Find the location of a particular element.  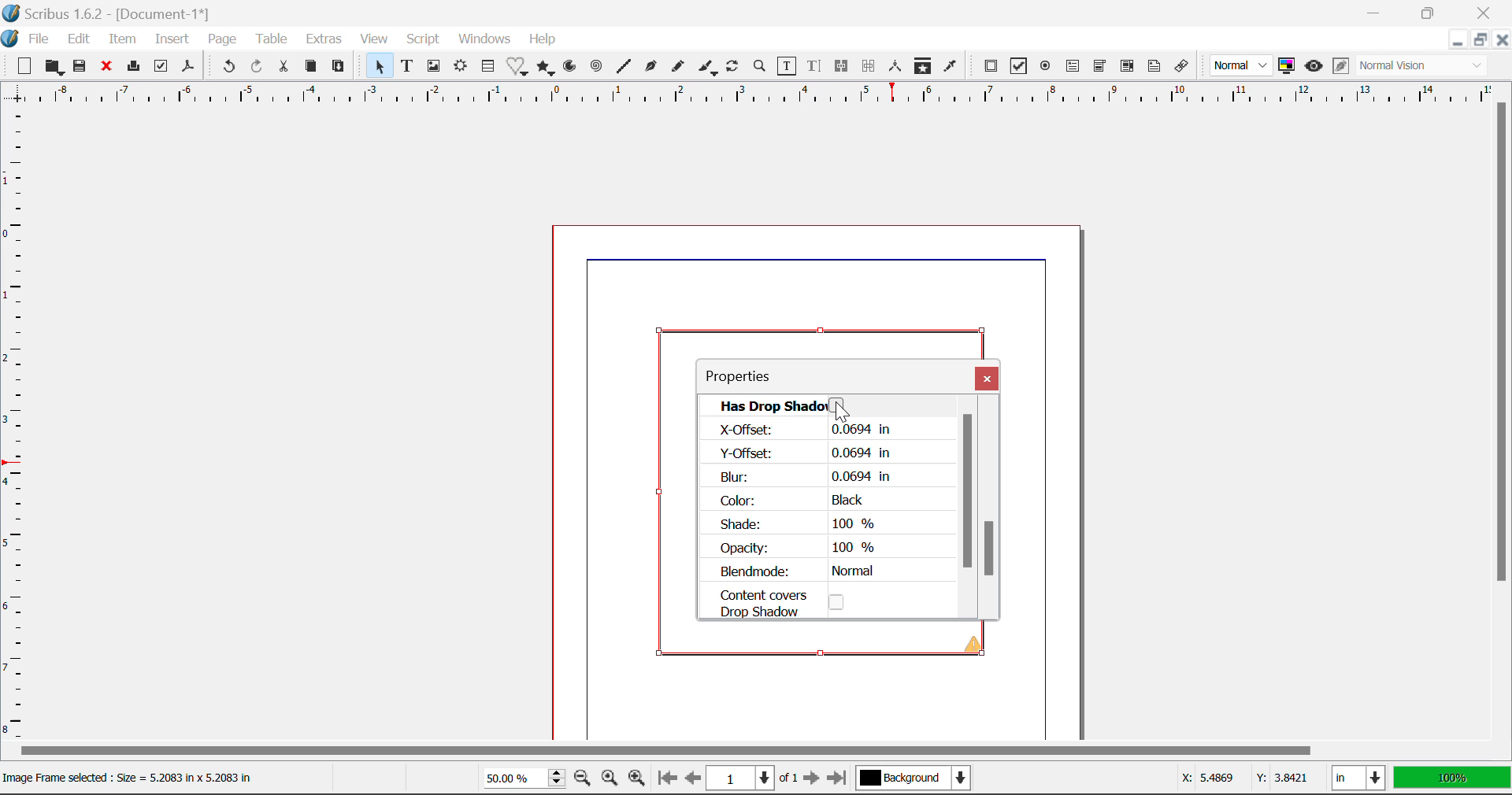

Special Shapes is located at coordinates (520, 68).